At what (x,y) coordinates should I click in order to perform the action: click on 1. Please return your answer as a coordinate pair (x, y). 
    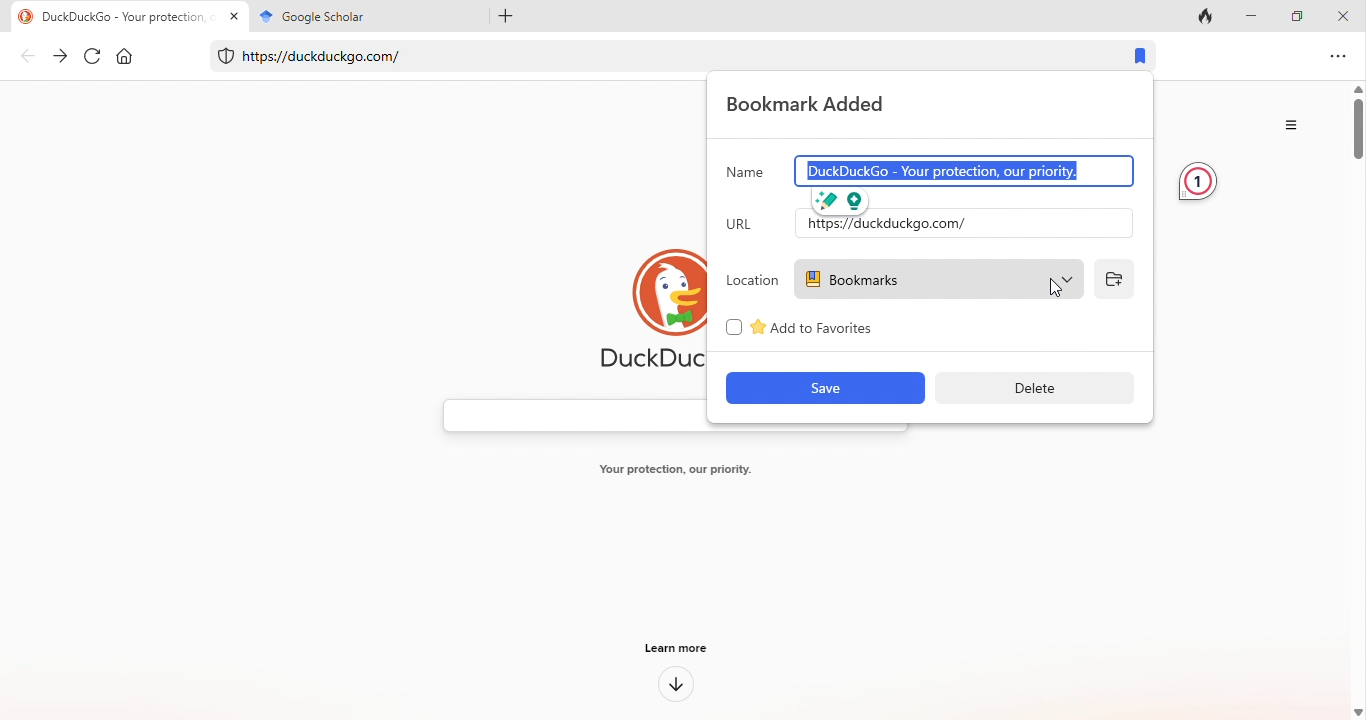
    Looking at the image, I should click on (1197, 182).